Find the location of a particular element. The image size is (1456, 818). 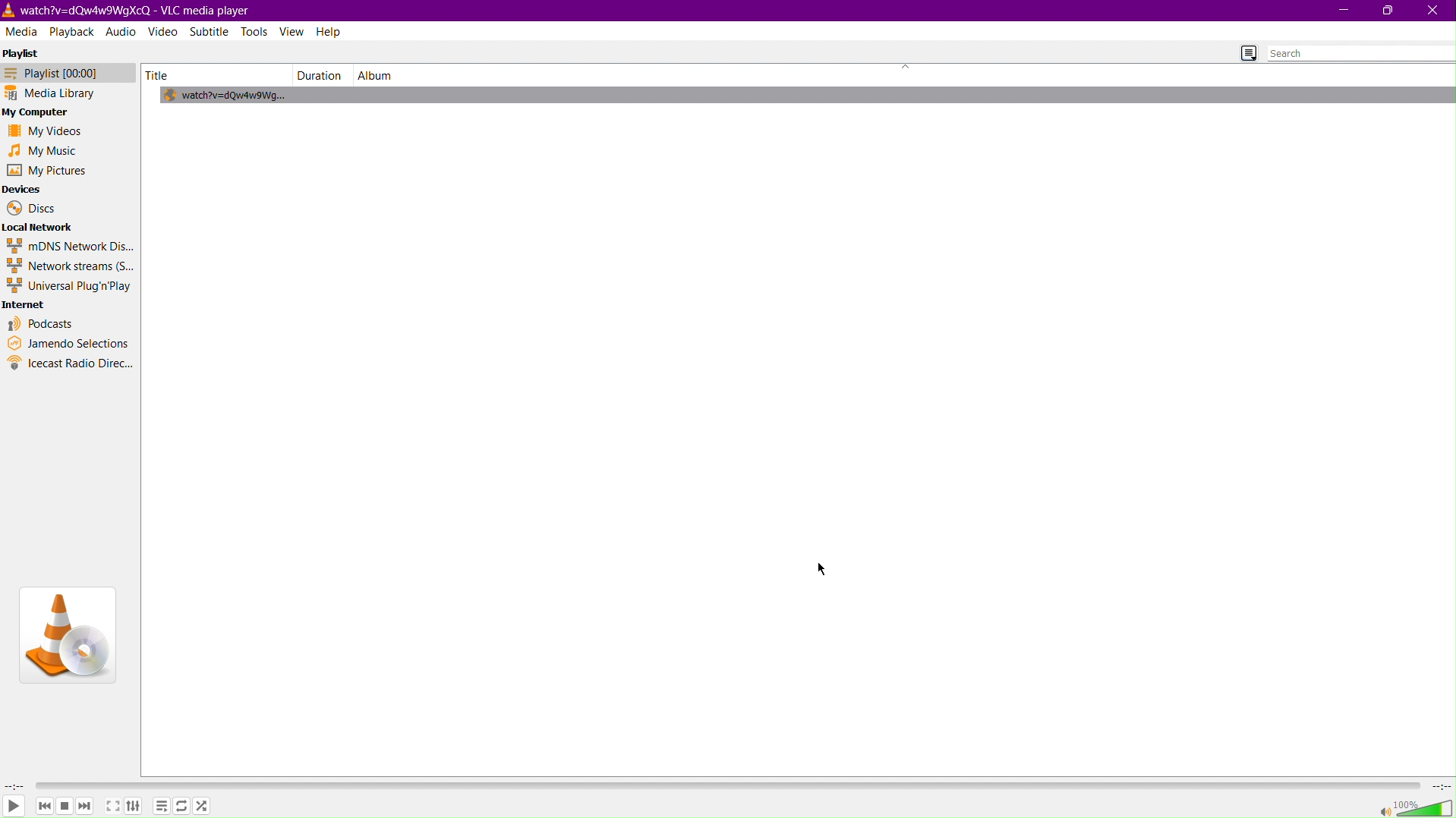

Media Library is located at coordinates (68, 94).